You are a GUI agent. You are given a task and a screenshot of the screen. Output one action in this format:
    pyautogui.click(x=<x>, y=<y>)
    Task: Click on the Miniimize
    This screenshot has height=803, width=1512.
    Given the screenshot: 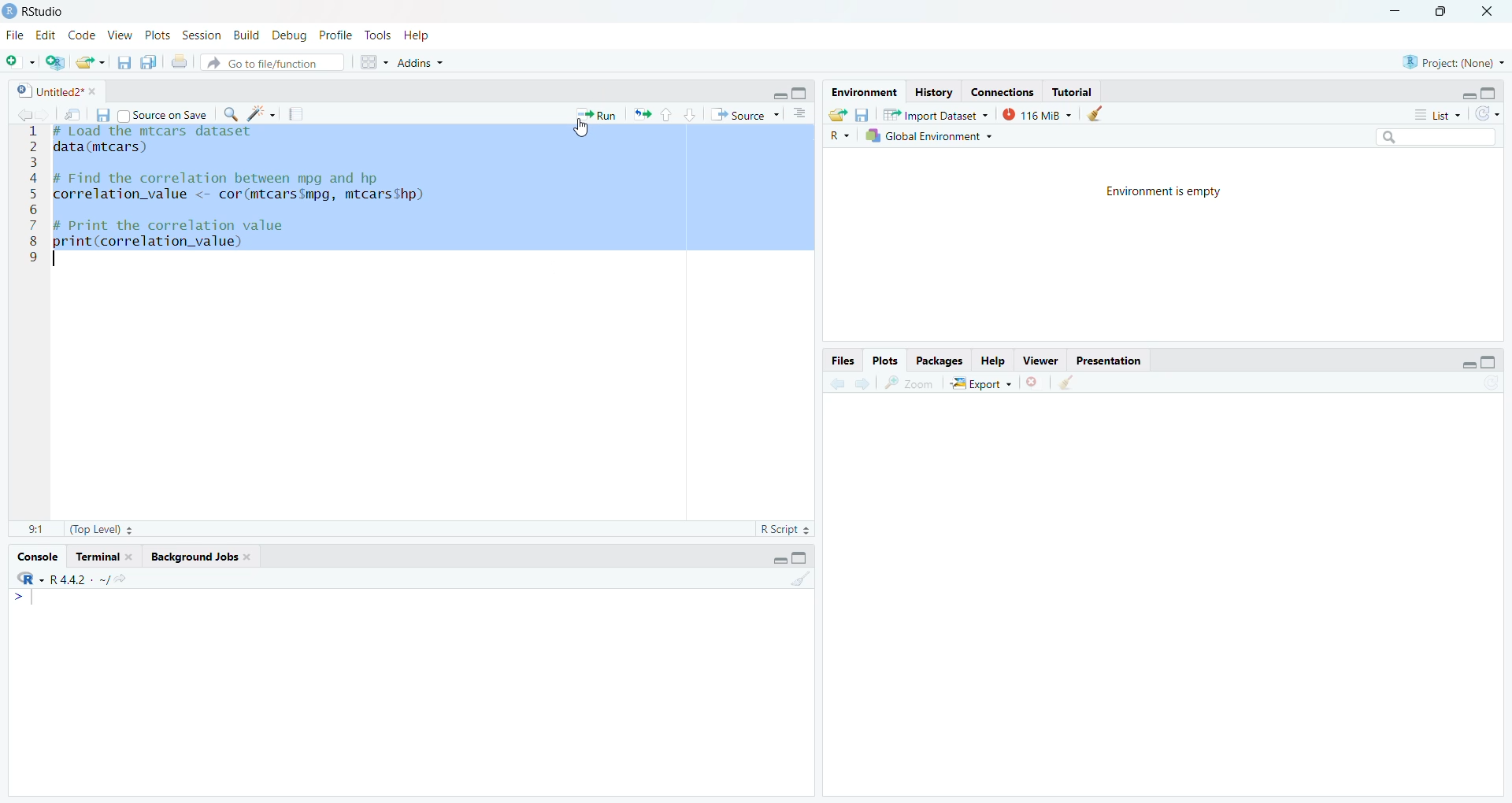 What is the action you would take?
    pyautogui.click(x=1394, y=10)
    